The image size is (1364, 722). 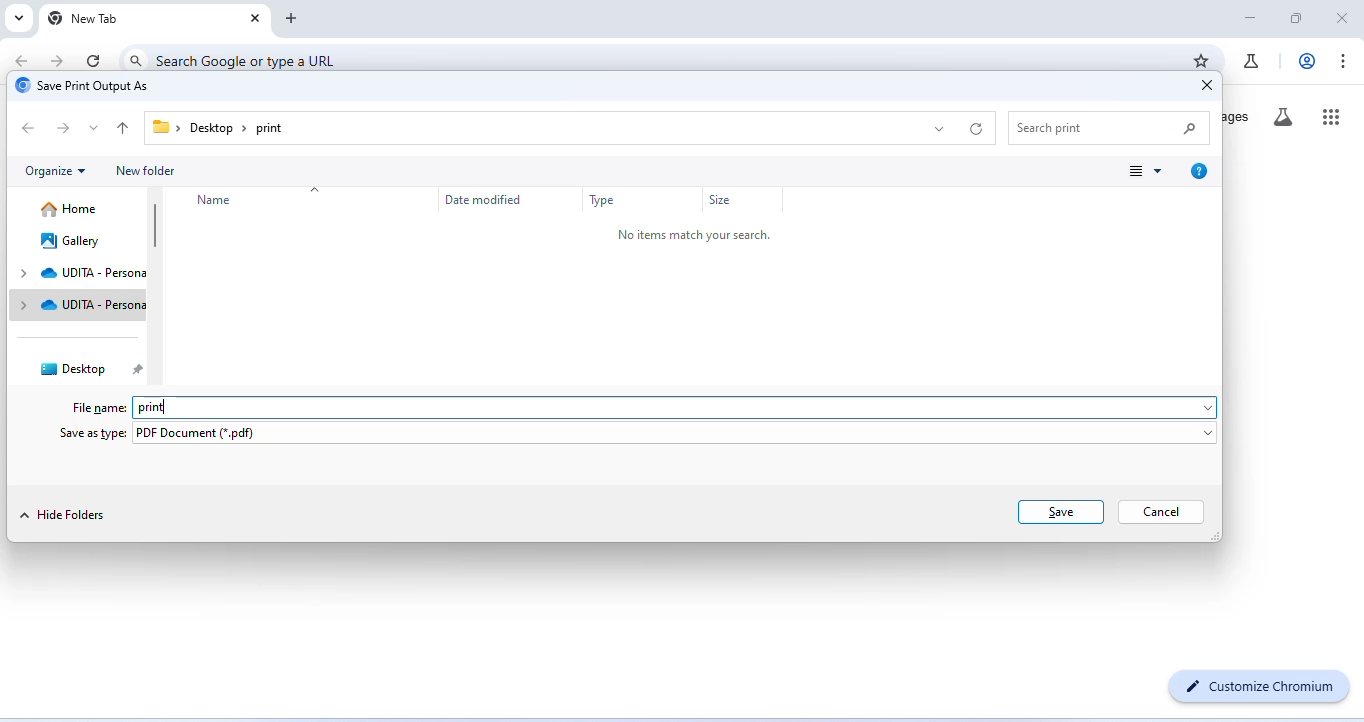 I want to click on vertical scroll bar, so click(x=155, y=226).